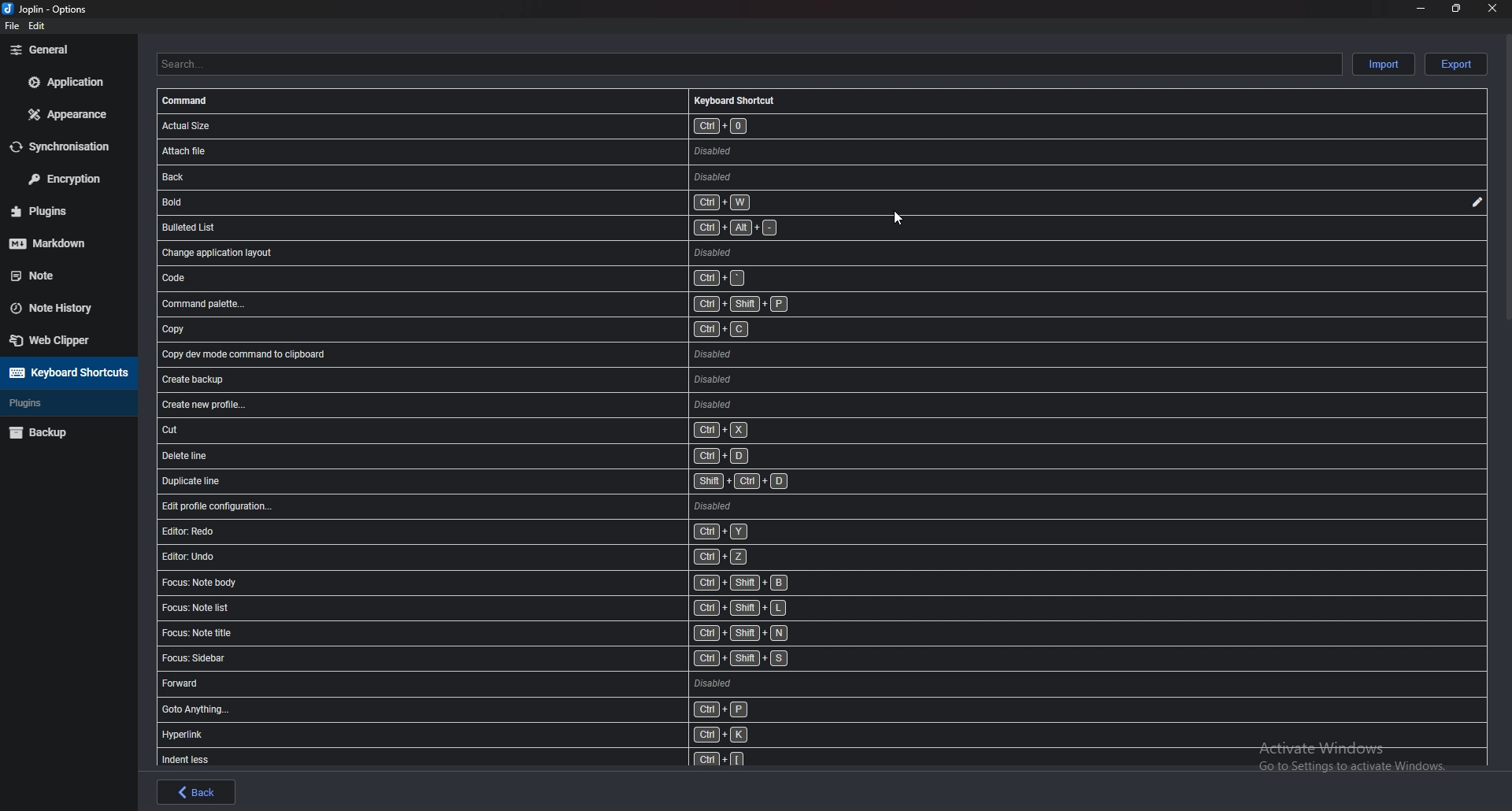  What do you see at coordinates (47, 9) in the screenshot?
I see `options` at bounding box center [47, 9].